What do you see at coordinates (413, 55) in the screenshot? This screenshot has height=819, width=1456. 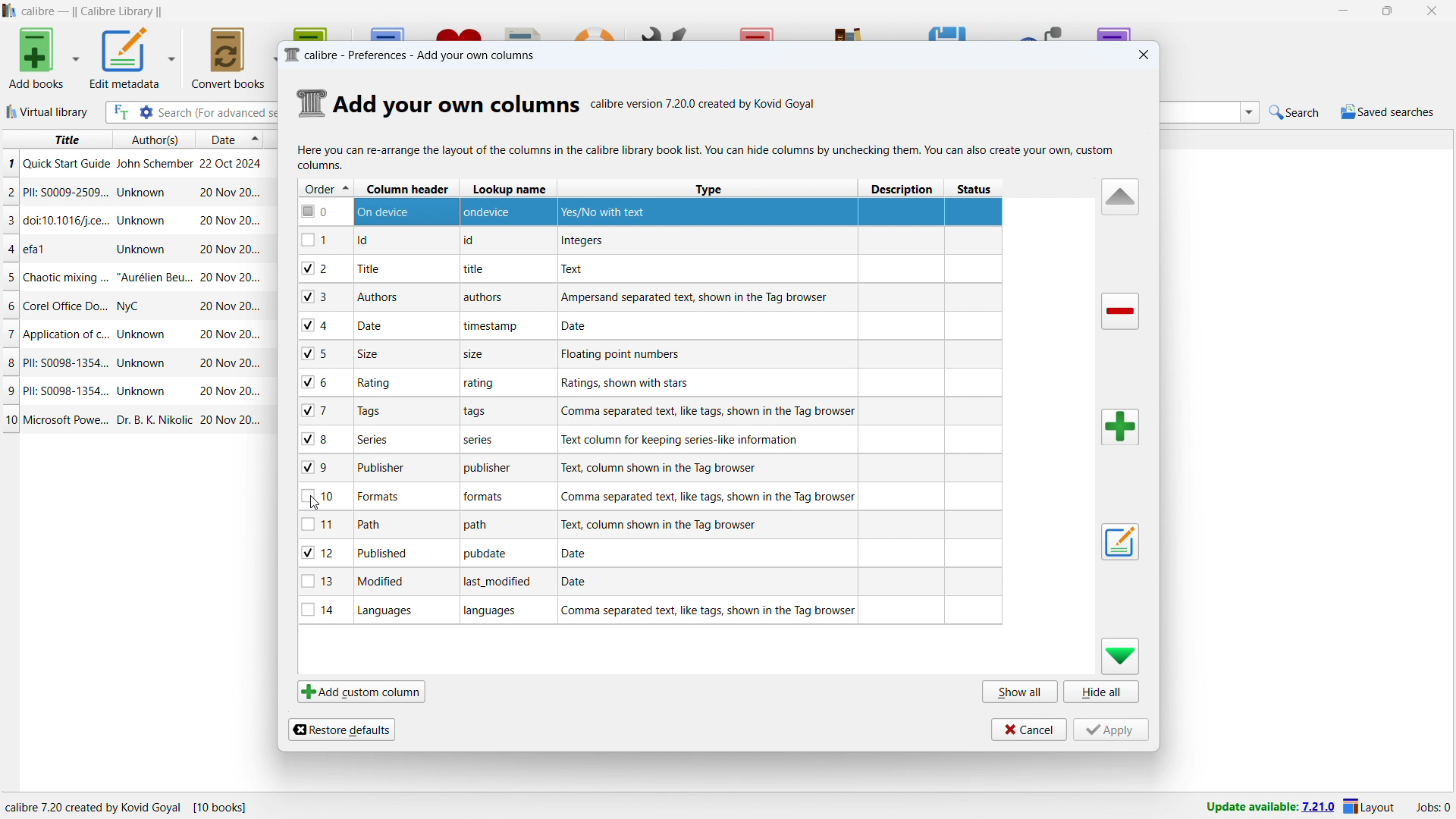 I see `preferences: add your own column` at bounding box center [413, 55].